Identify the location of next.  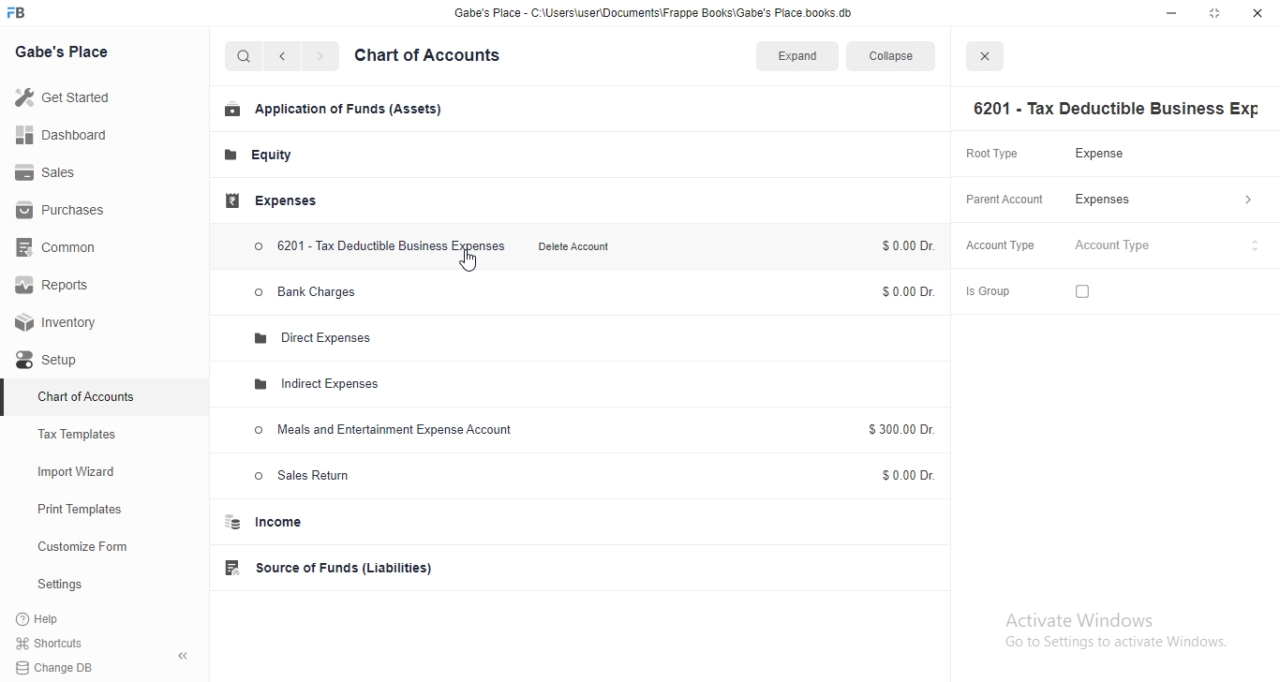
(327, 58).